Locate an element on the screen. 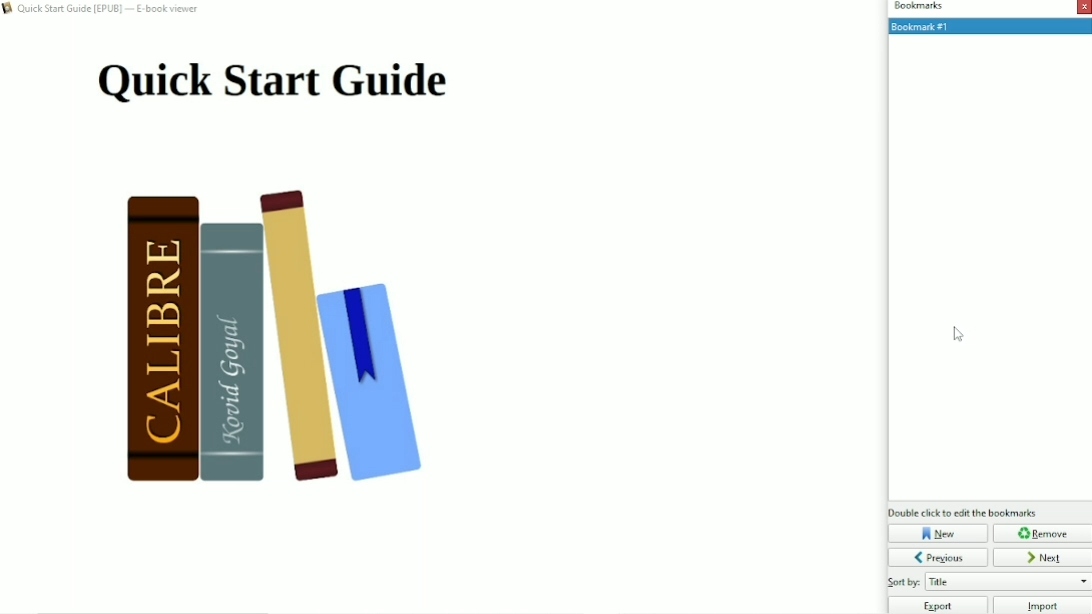  Sort by is located at coordinates (988, 582).